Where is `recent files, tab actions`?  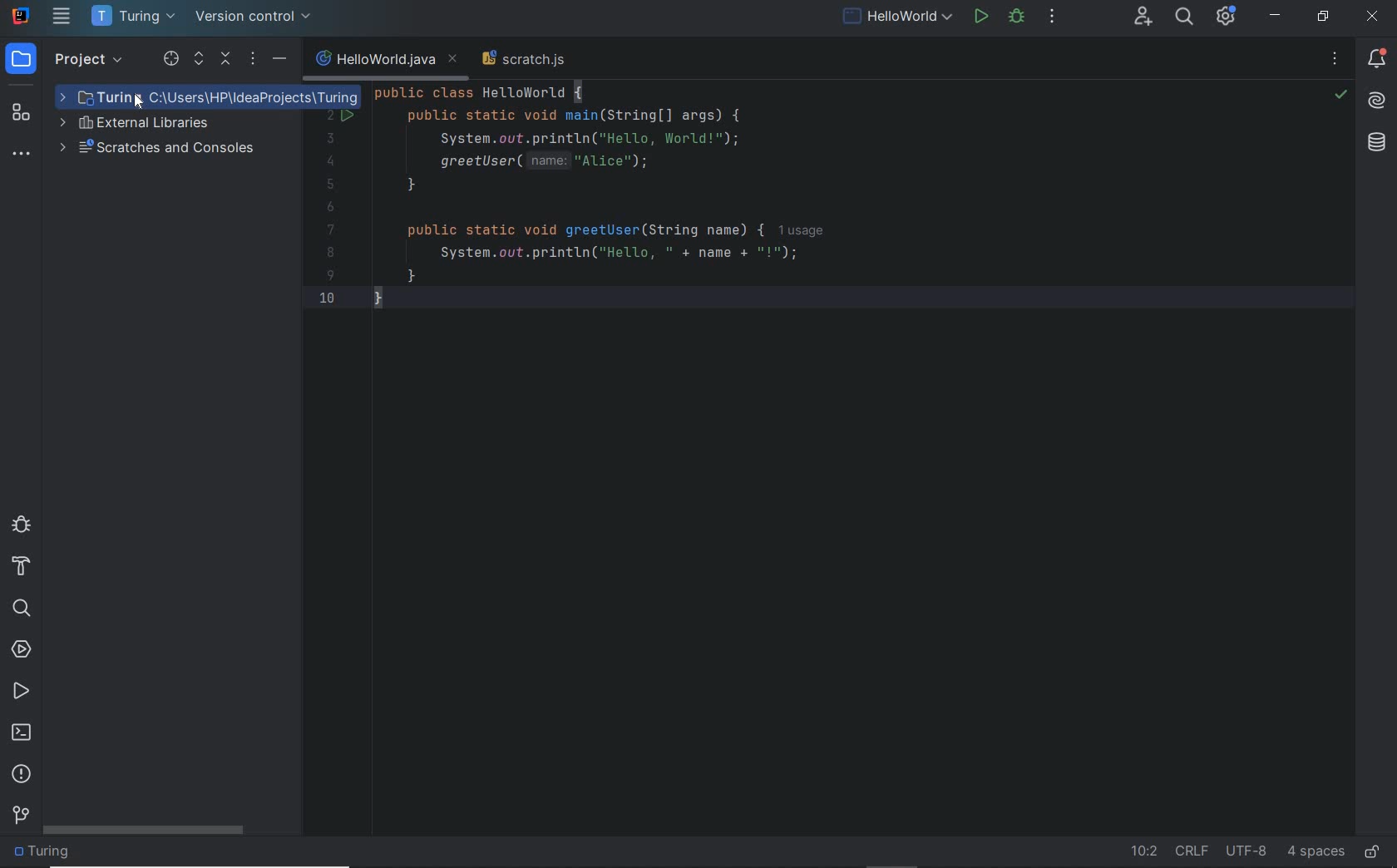
recent files, tab actions is located at coordinates (1335, 60).